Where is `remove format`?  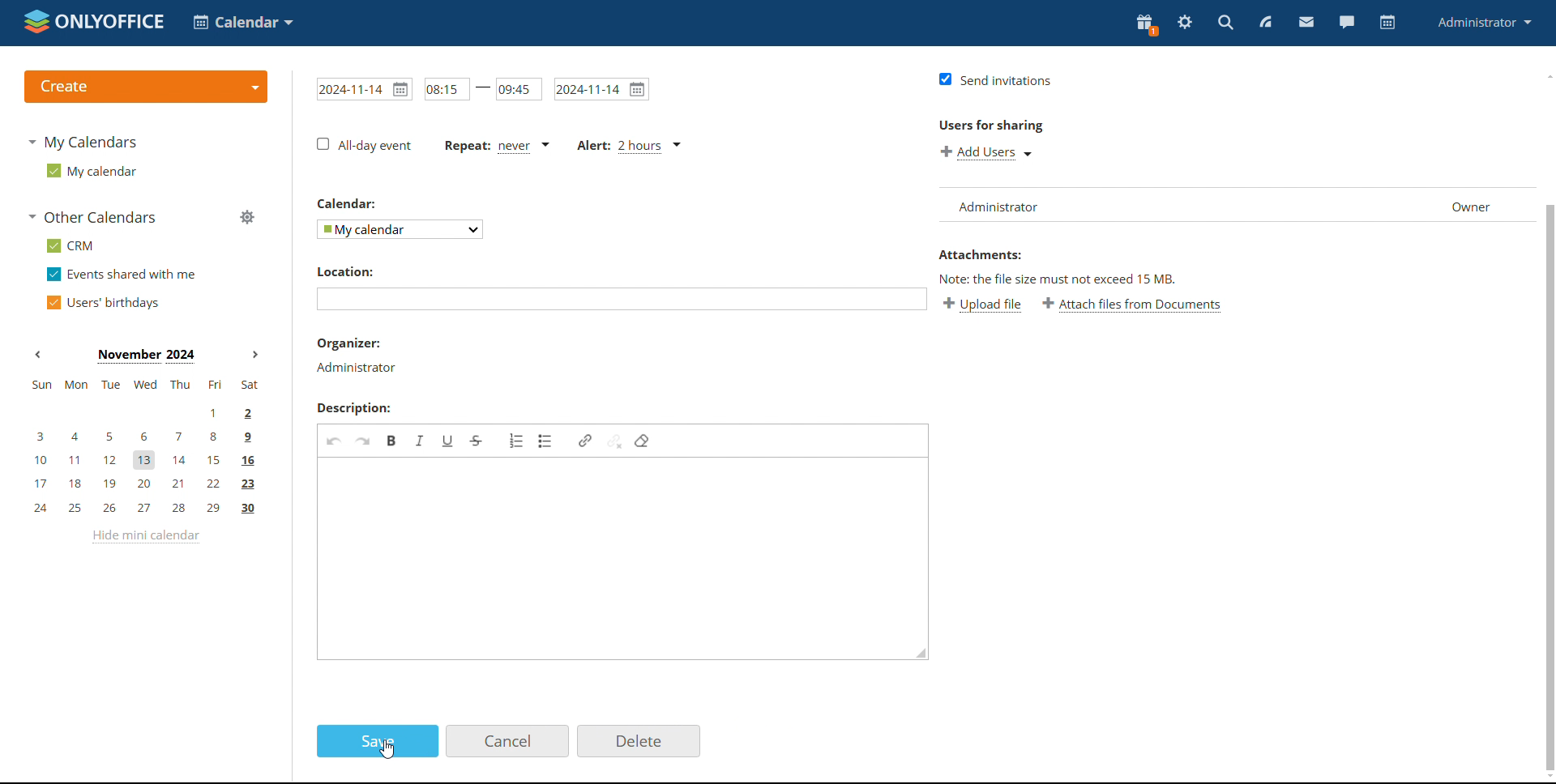 remove format is located at coordinates (646, 442).